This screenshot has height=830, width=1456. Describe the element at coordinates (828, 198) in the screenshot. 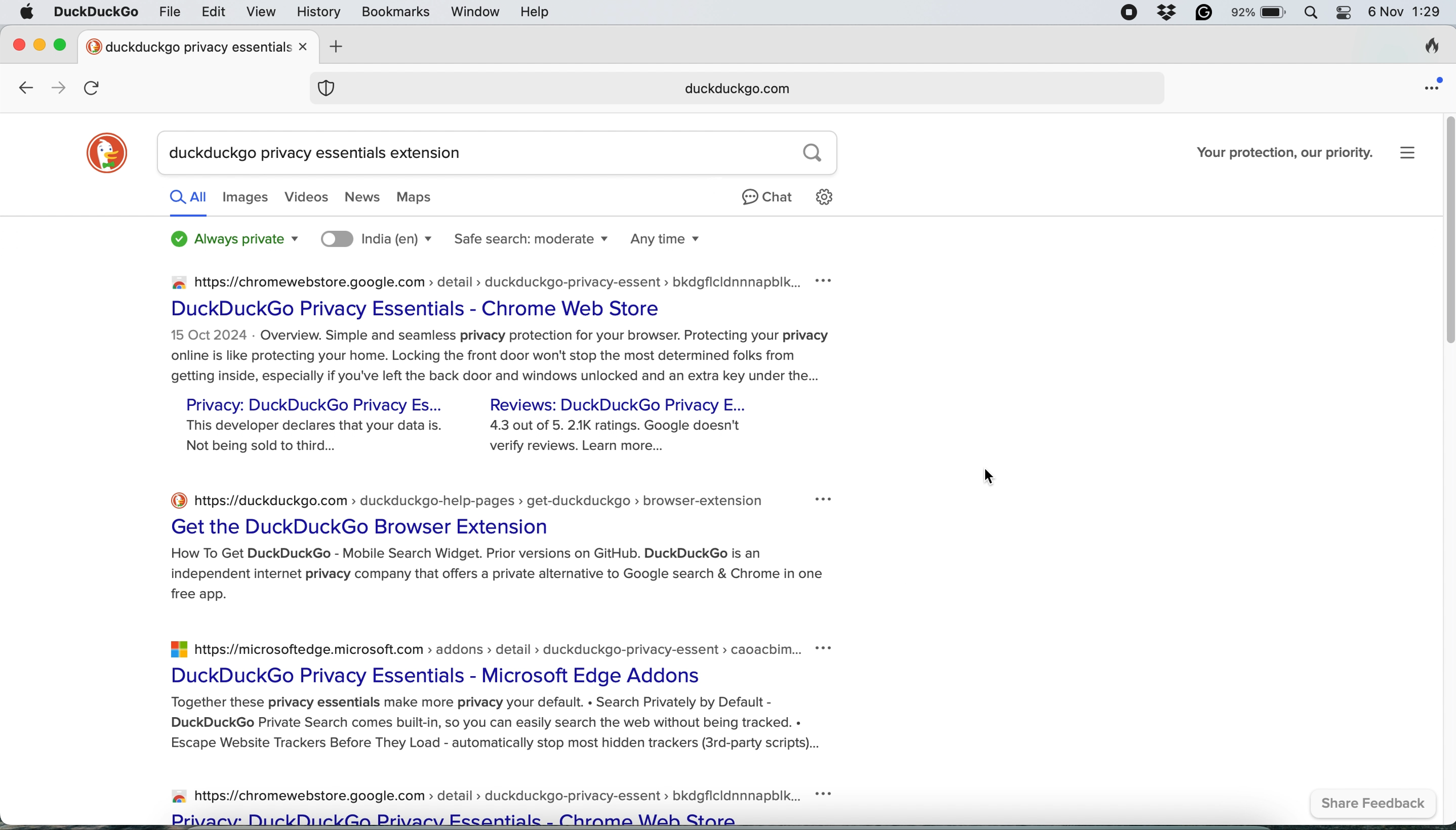

I see `settings` at that location.